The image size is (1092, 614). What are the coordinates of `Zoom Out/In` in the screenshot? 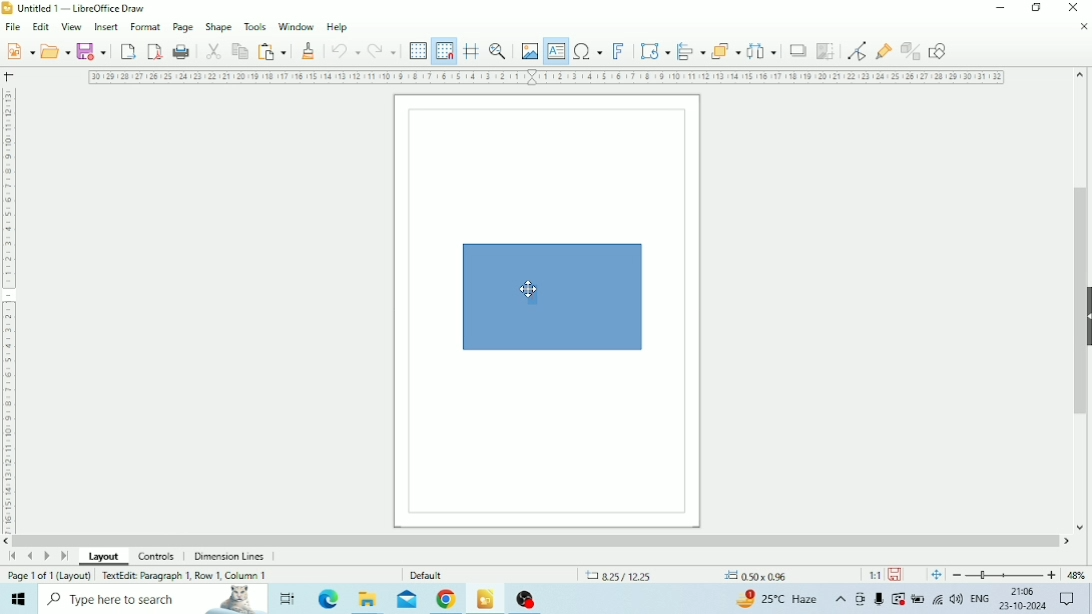 It's located at (1002, 575).